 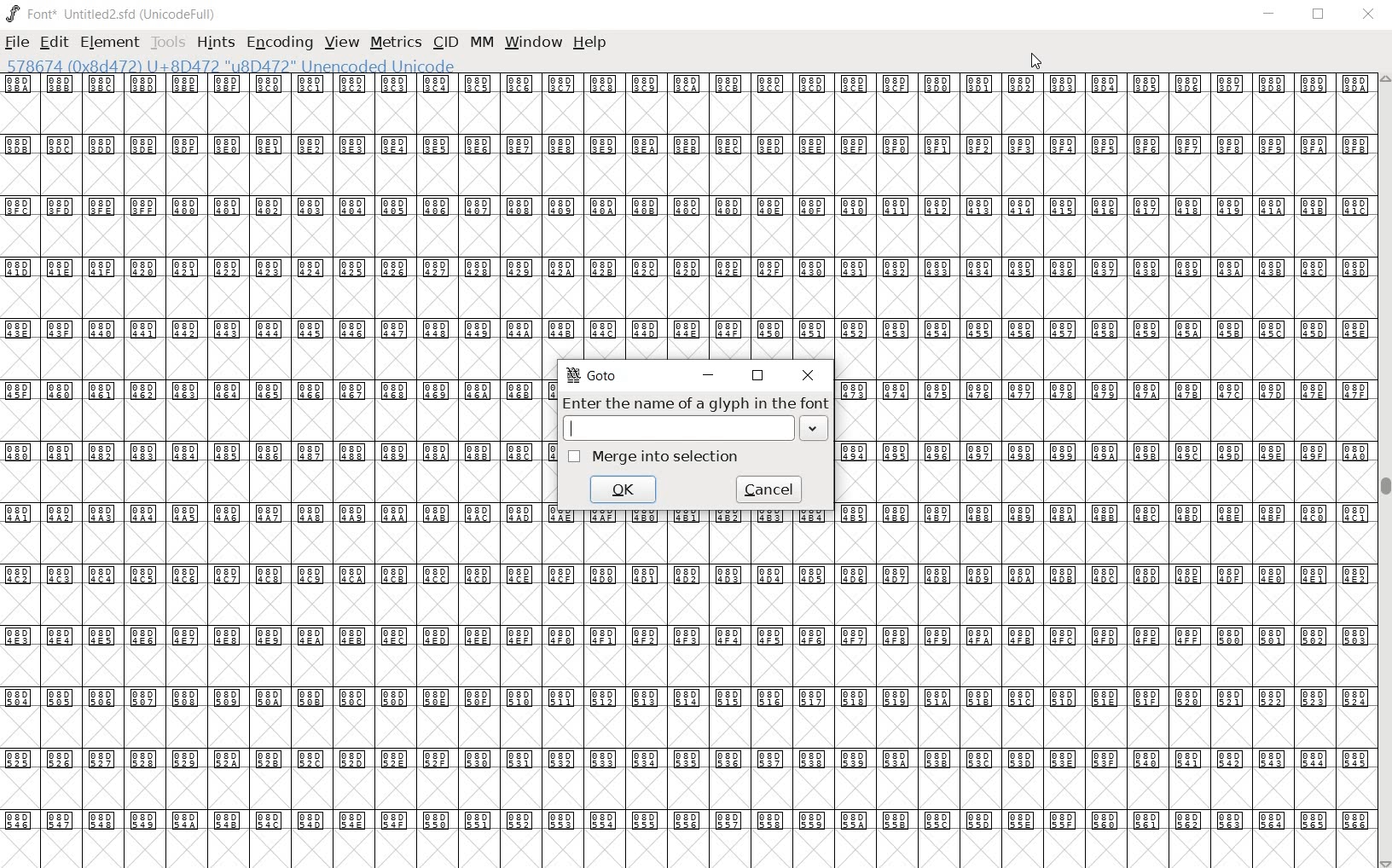 What do you see at coordinates (1038, 62) in the screenshot?
I see `close` at bounding box center [1038, 62].